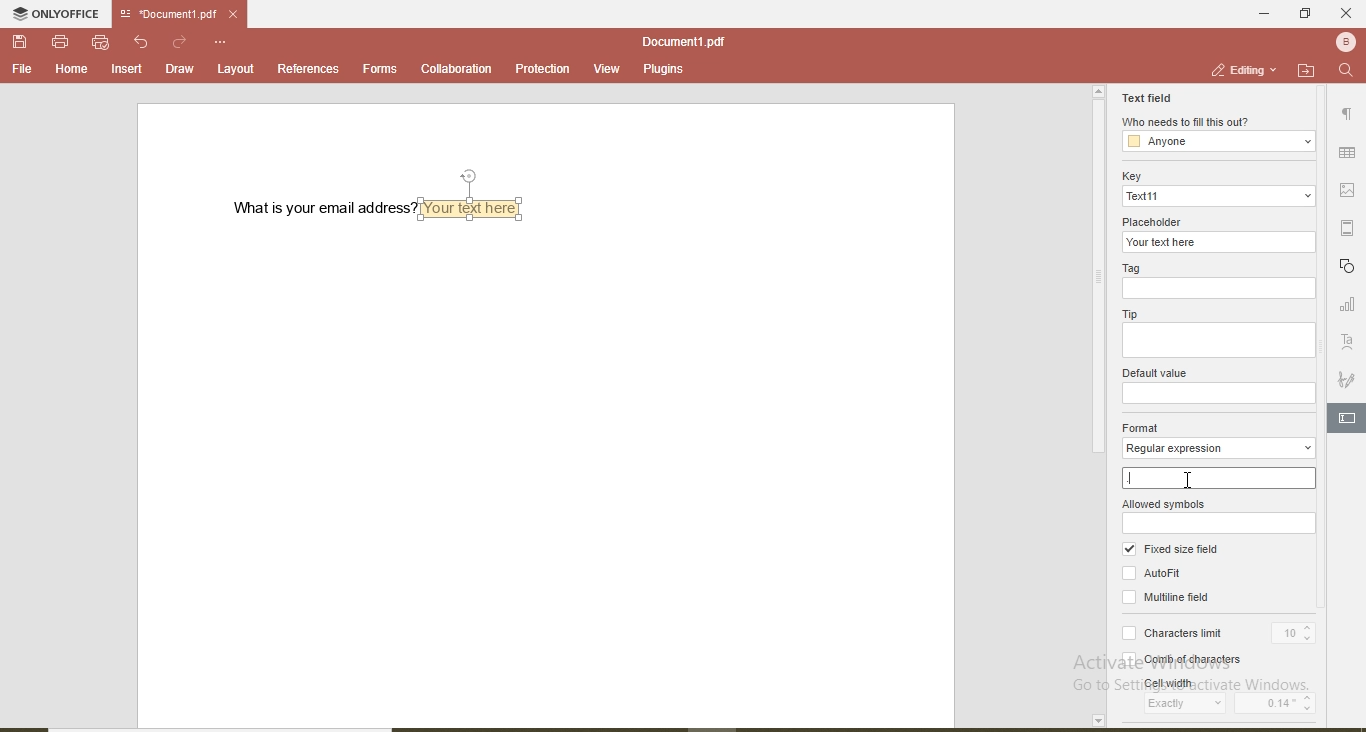  What do you see at coordinates (308, 68) in the screenshot?
I see `references` at bounding box center [308, 68].